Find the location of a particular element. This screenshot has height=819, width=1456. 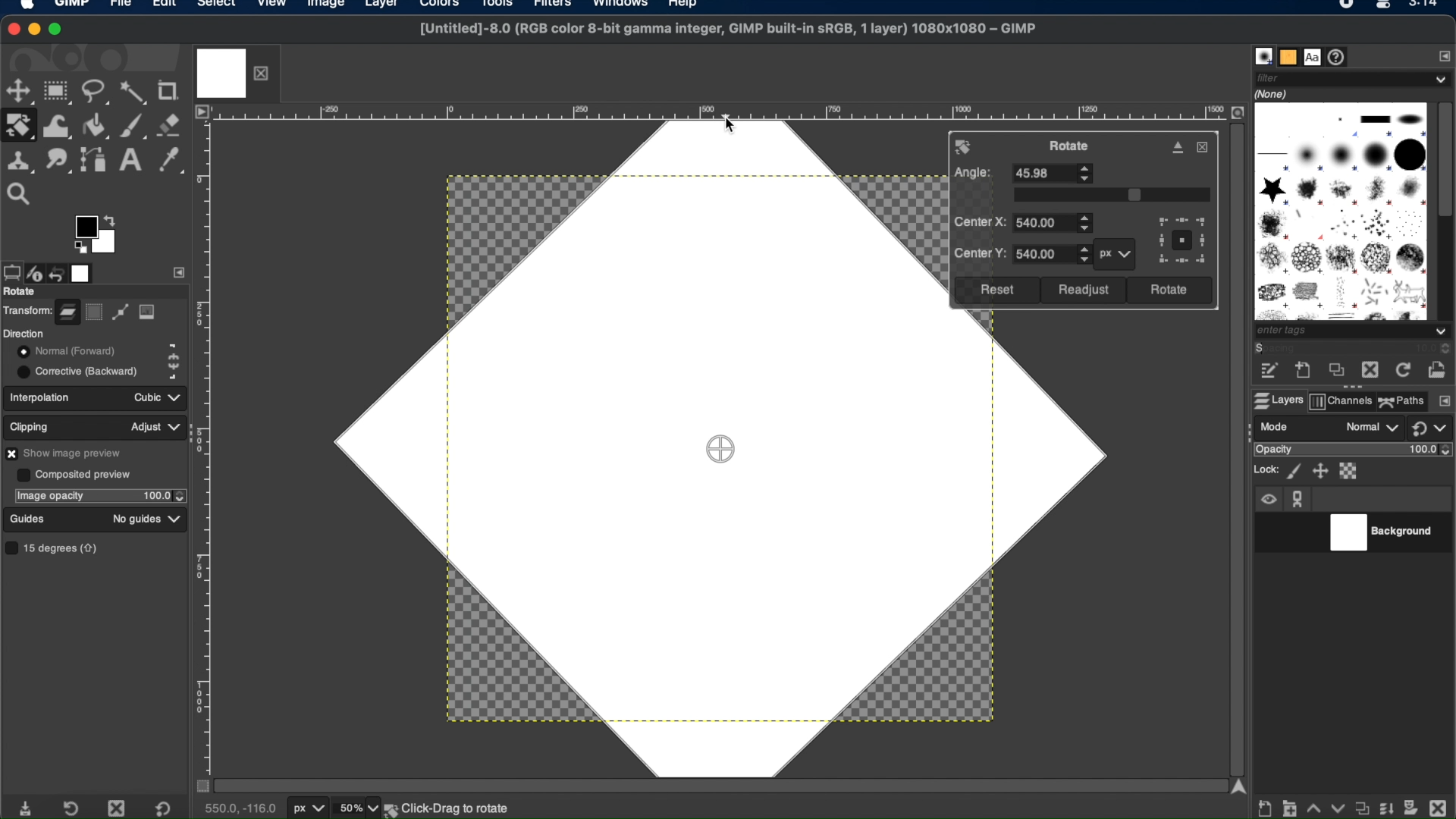

paintbrush tool is located at coordinates (134, 124).